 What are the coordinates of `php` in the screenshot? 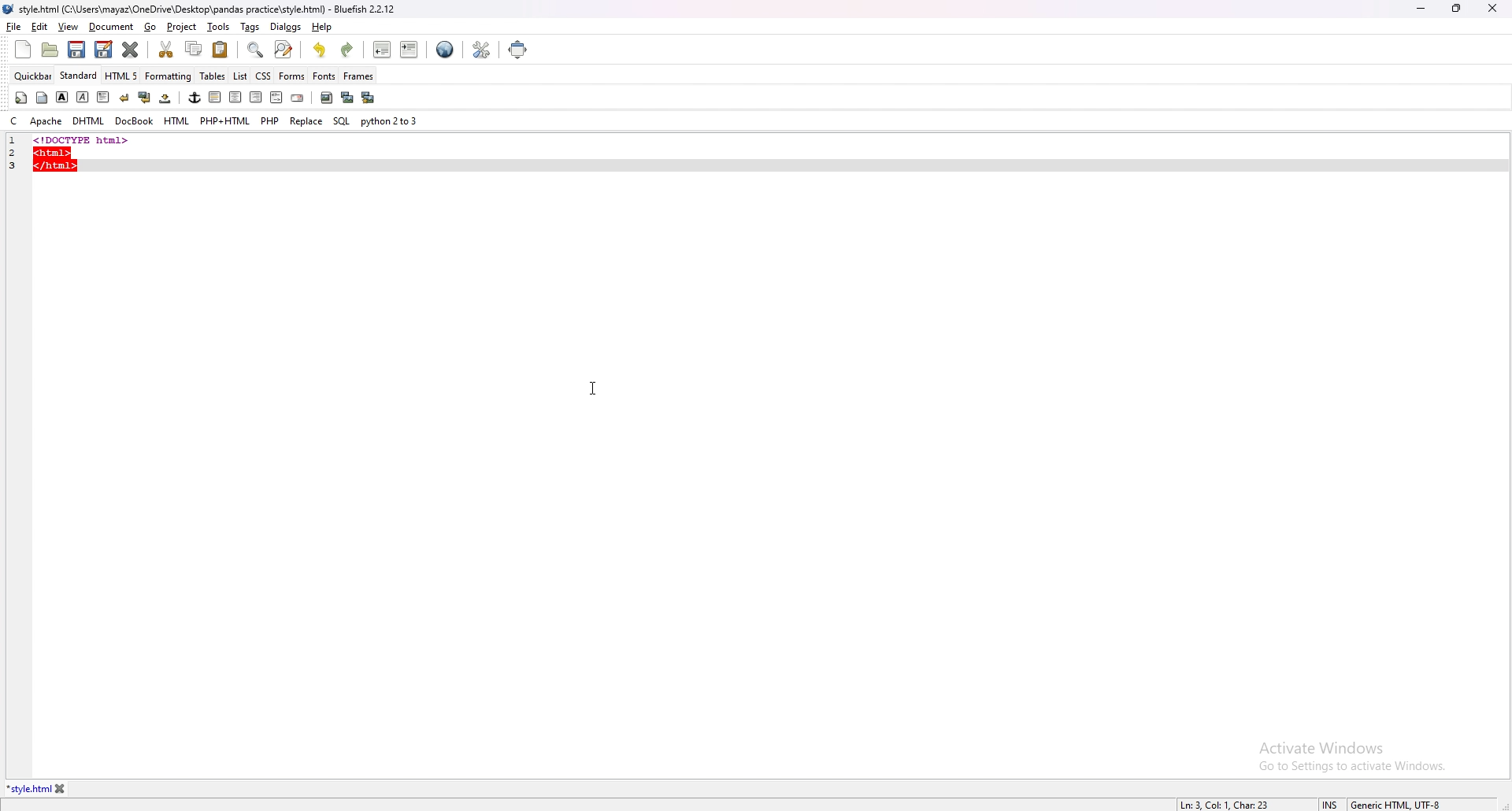 It's located at (270, 120).